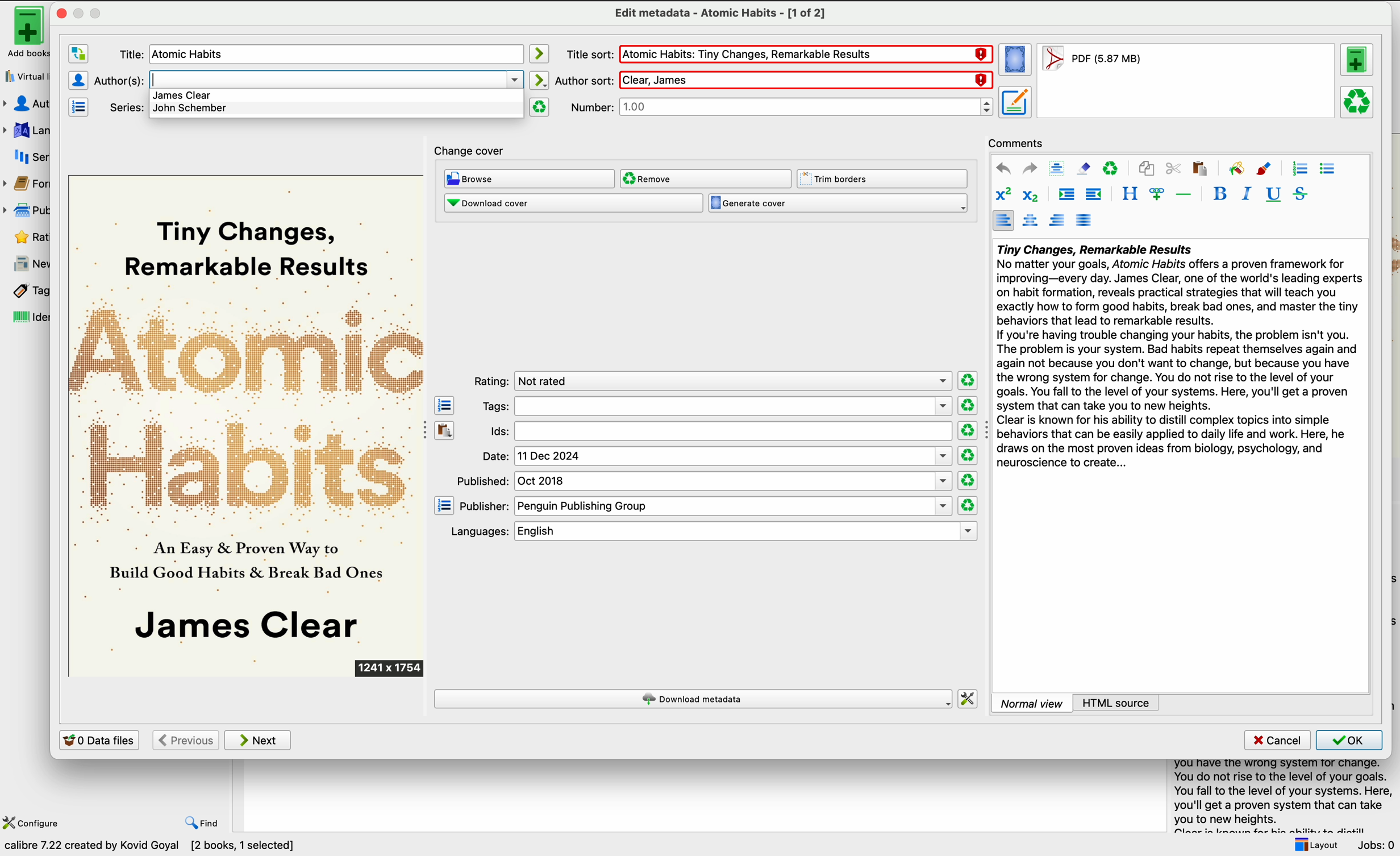 This screenshot has height=856, width=1400. Describe the element at coordinates (81, 107) in the screenshot. I see `manage series editor` at that location.